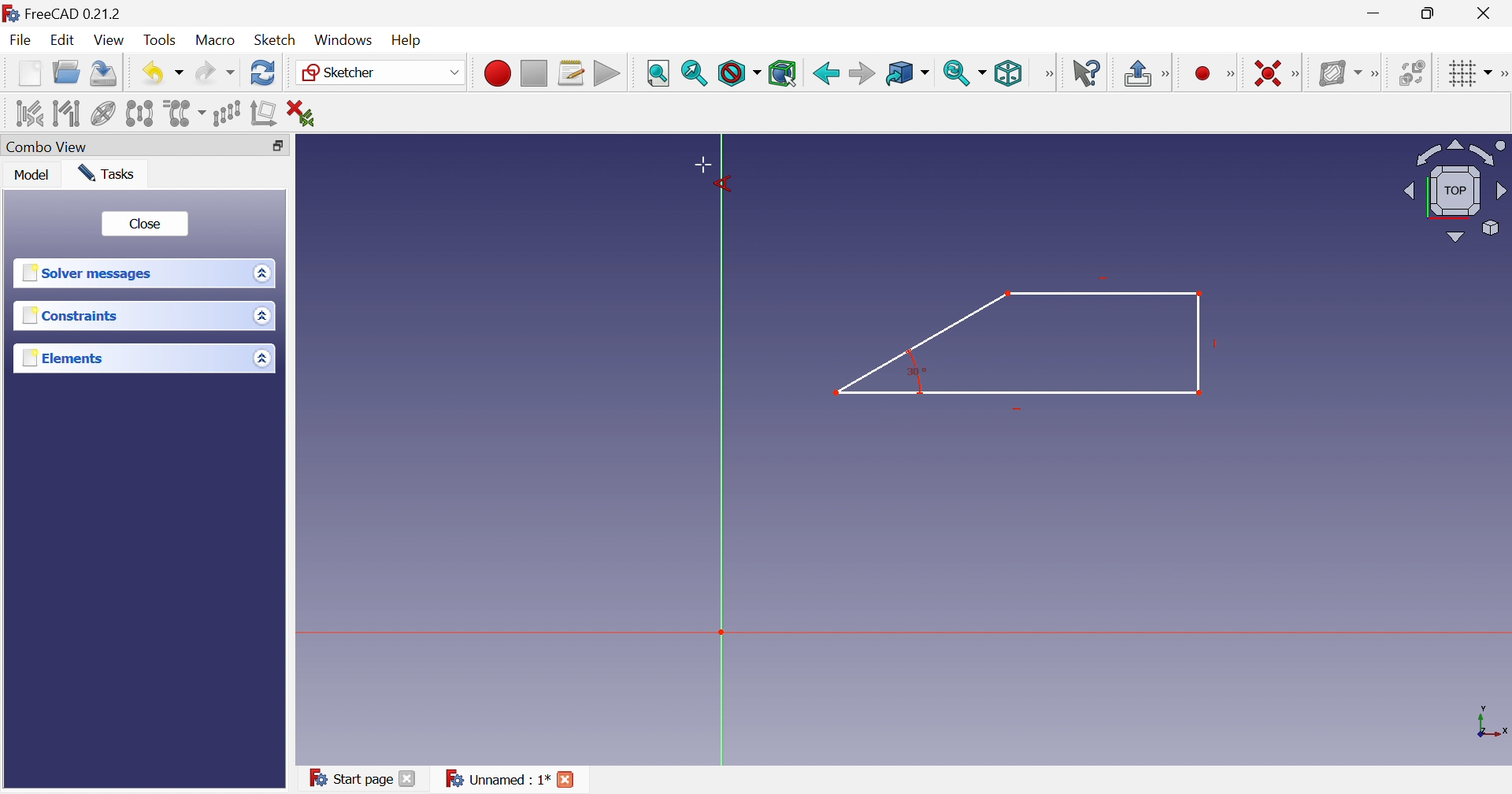  What do you see at coordinates (985, 72) in the screenshot?
I see `Drop Down` at bounding box center [985, 72].